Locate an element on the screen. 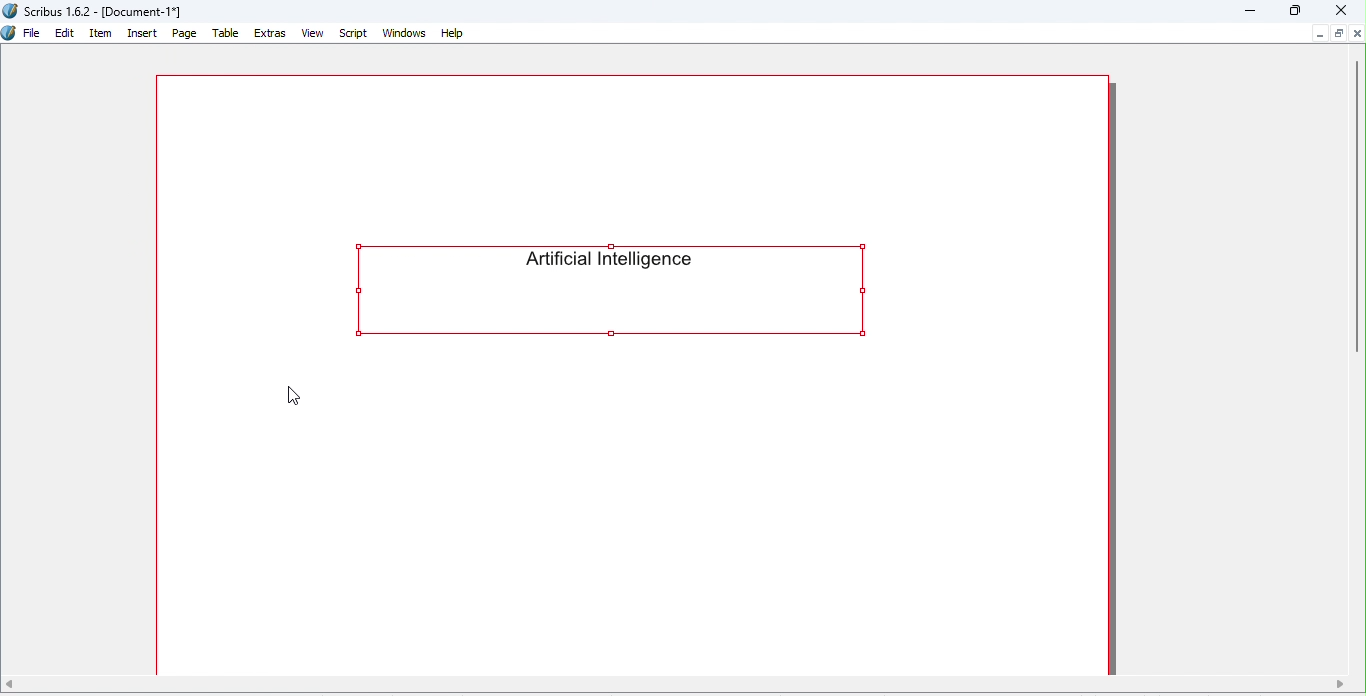 The width and height of the screenshot is (1366, 696). Table is located at coordinates (226, 34).